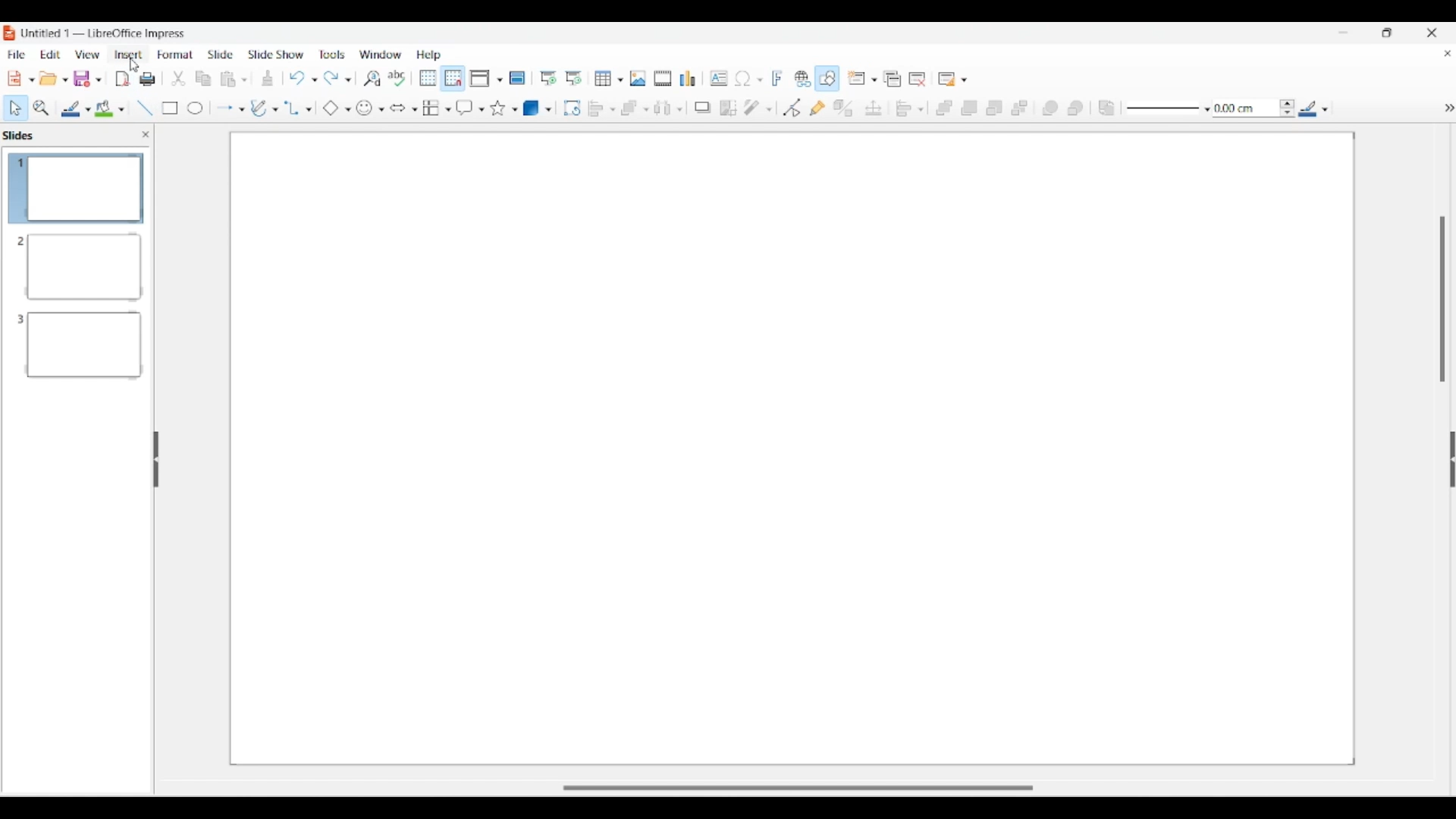 Image resolution: width=1456 pixels, height=819 pixels. Describe the element at coordinates (862, 78) in the screenshot. I see `New slide options` at that location.